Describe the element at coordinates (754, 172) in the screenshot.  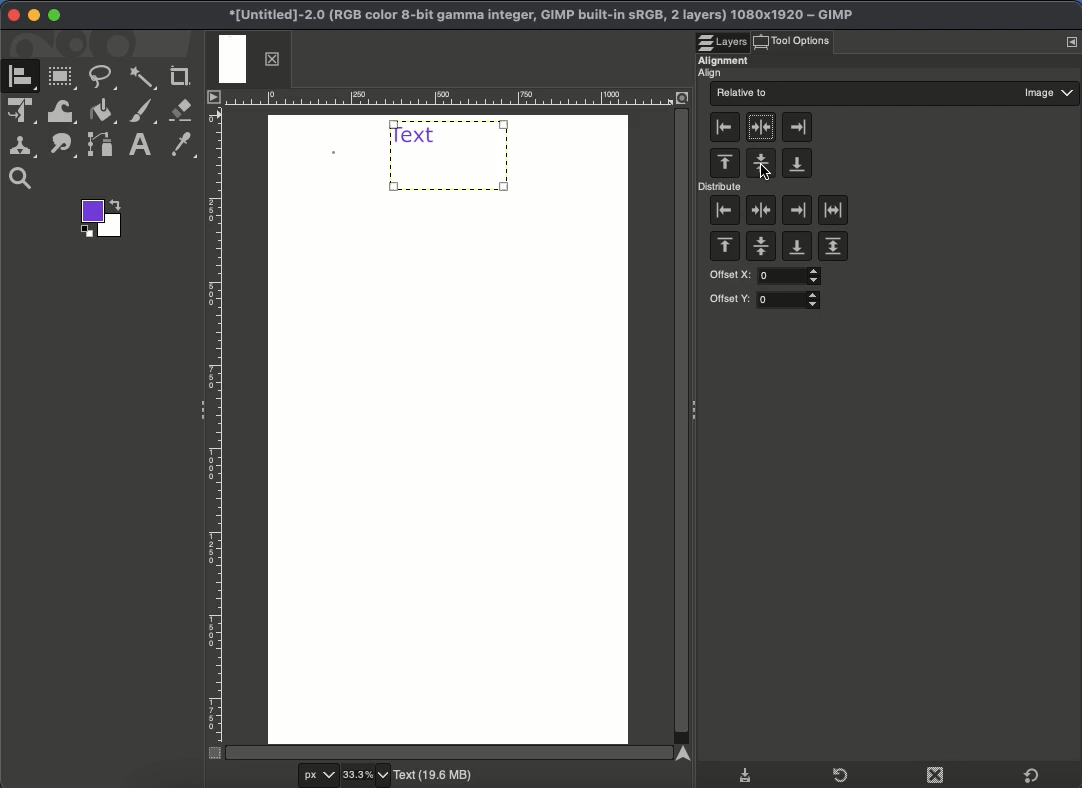
I see `cursor` at that location.